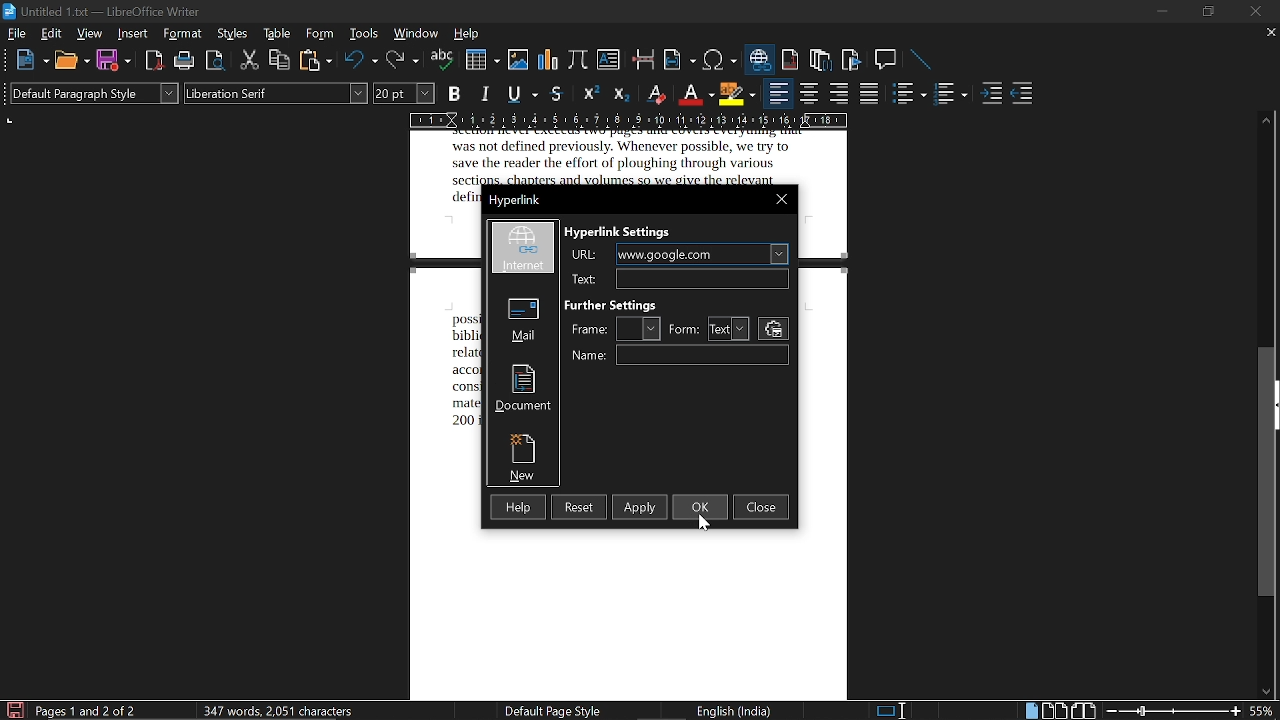 The height and width of the screenshot is (720, 1280). Describe the element at coordinates (1268, 117) in the screenshot. I see `move up` at that location.